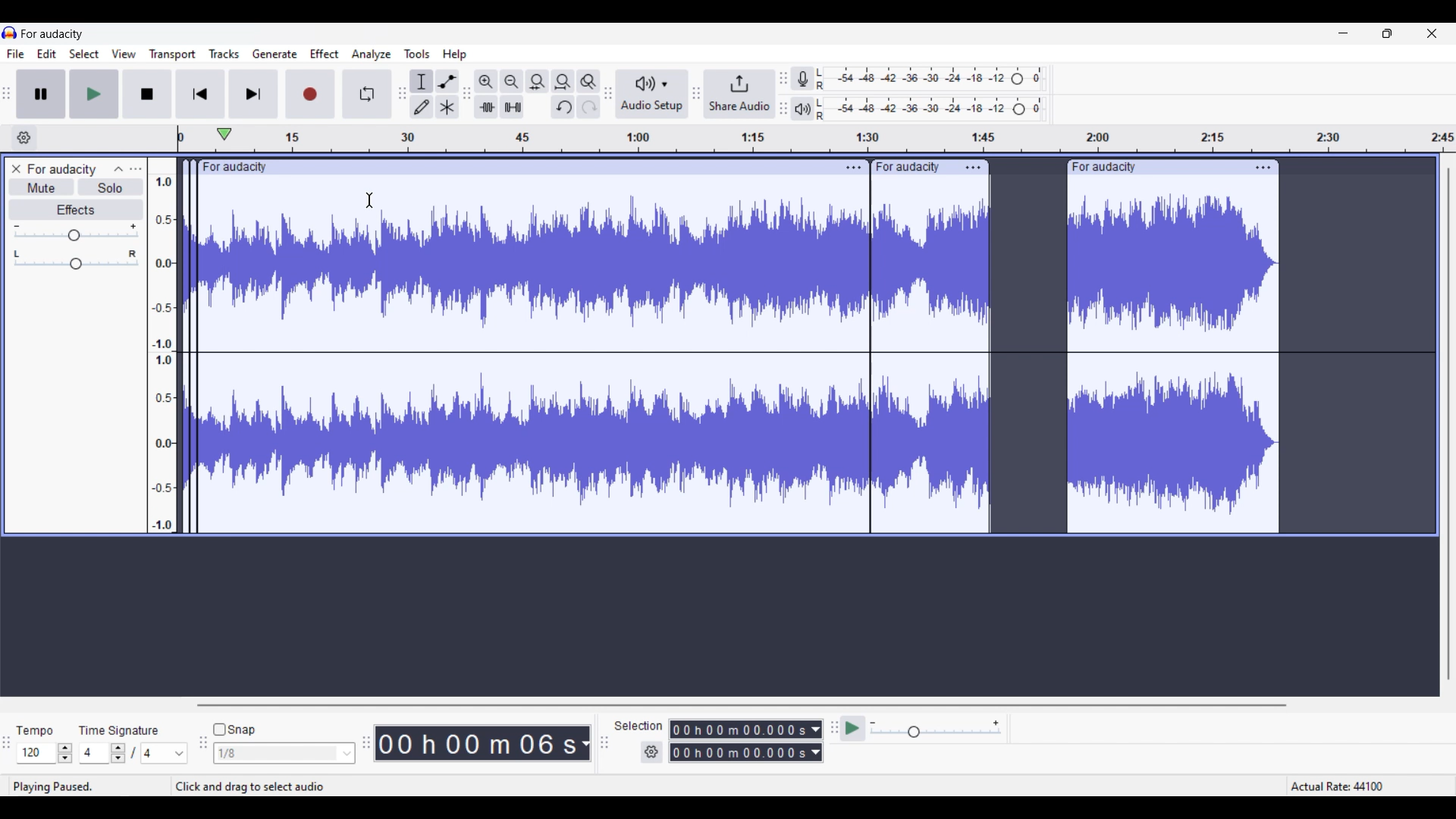  What do you see at coordinates (124, 54) in the screenshot?
I see `View menu` at bounding box center [124, 54].